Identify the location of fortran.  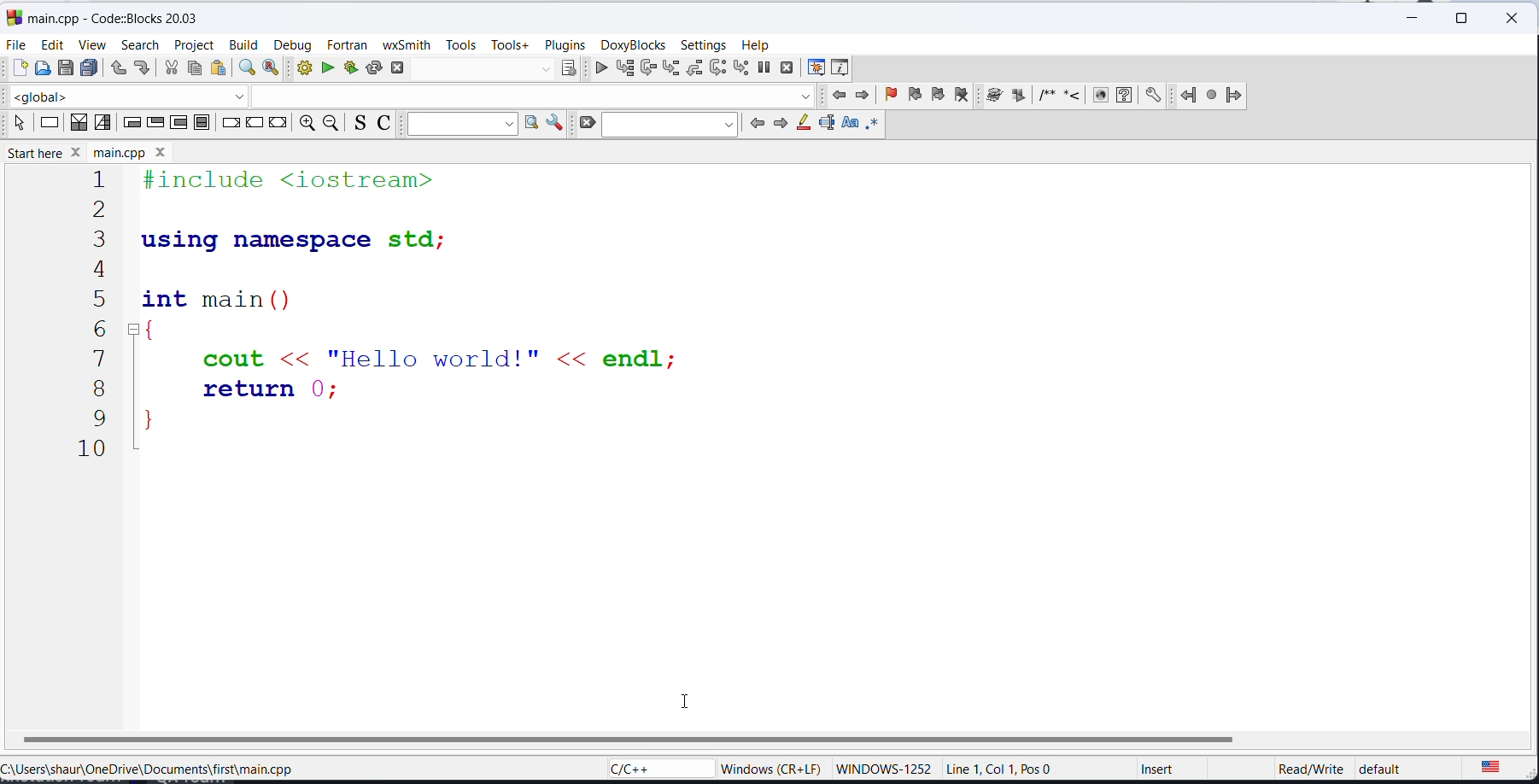
(348, 44).